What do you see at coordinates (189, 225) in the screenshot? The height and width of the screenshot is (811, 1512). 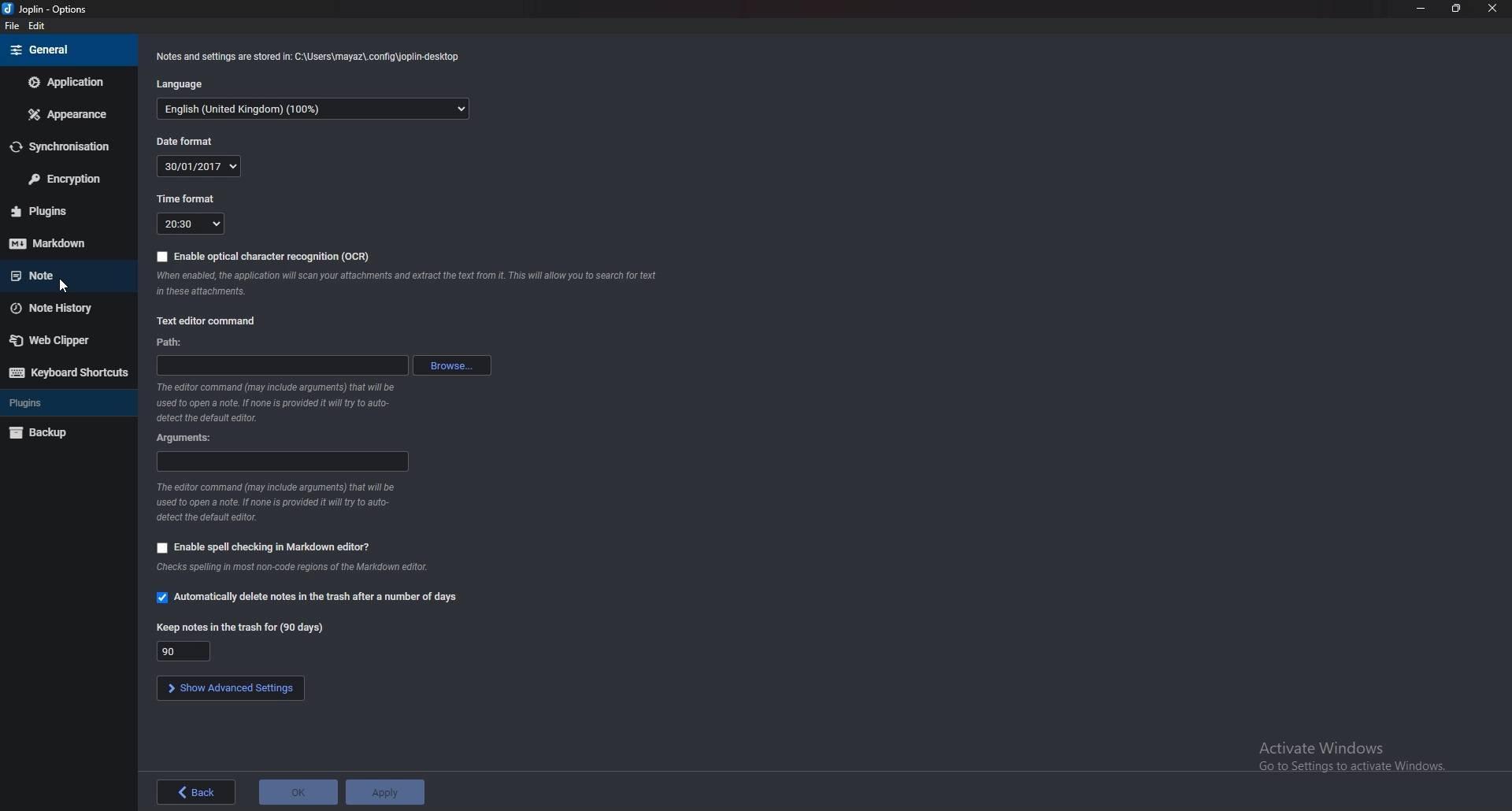 I see `Time format` at bounding box center [189, 225].